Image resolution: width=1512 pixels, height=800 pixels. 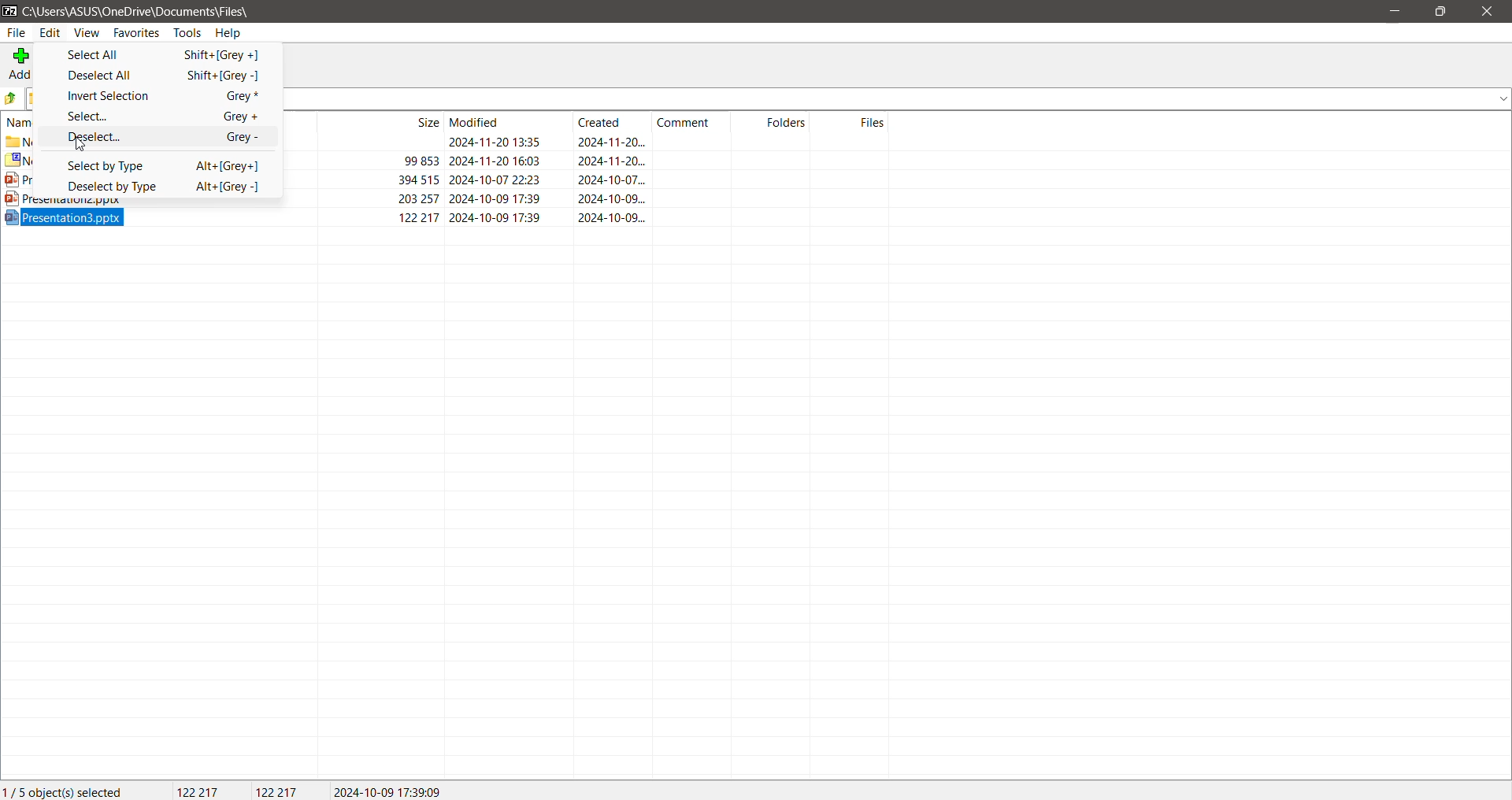 What do you see at coordinates (187, 32) in the screenshot?
I see `Tools` at bounding box center [187, 32].